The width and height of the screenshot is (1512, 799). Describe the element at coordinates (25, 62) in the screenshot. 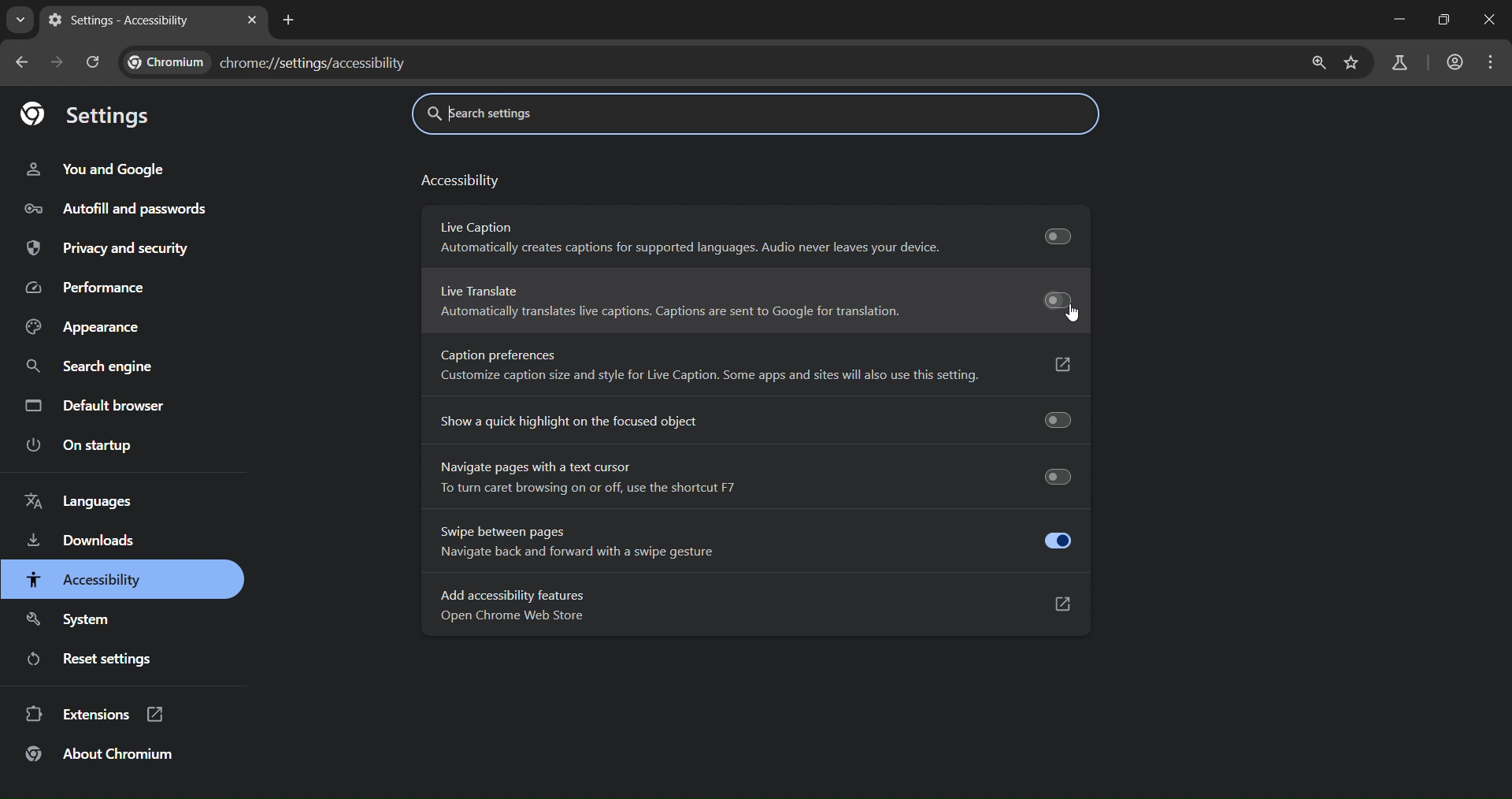

I see `go back one page` at that location.